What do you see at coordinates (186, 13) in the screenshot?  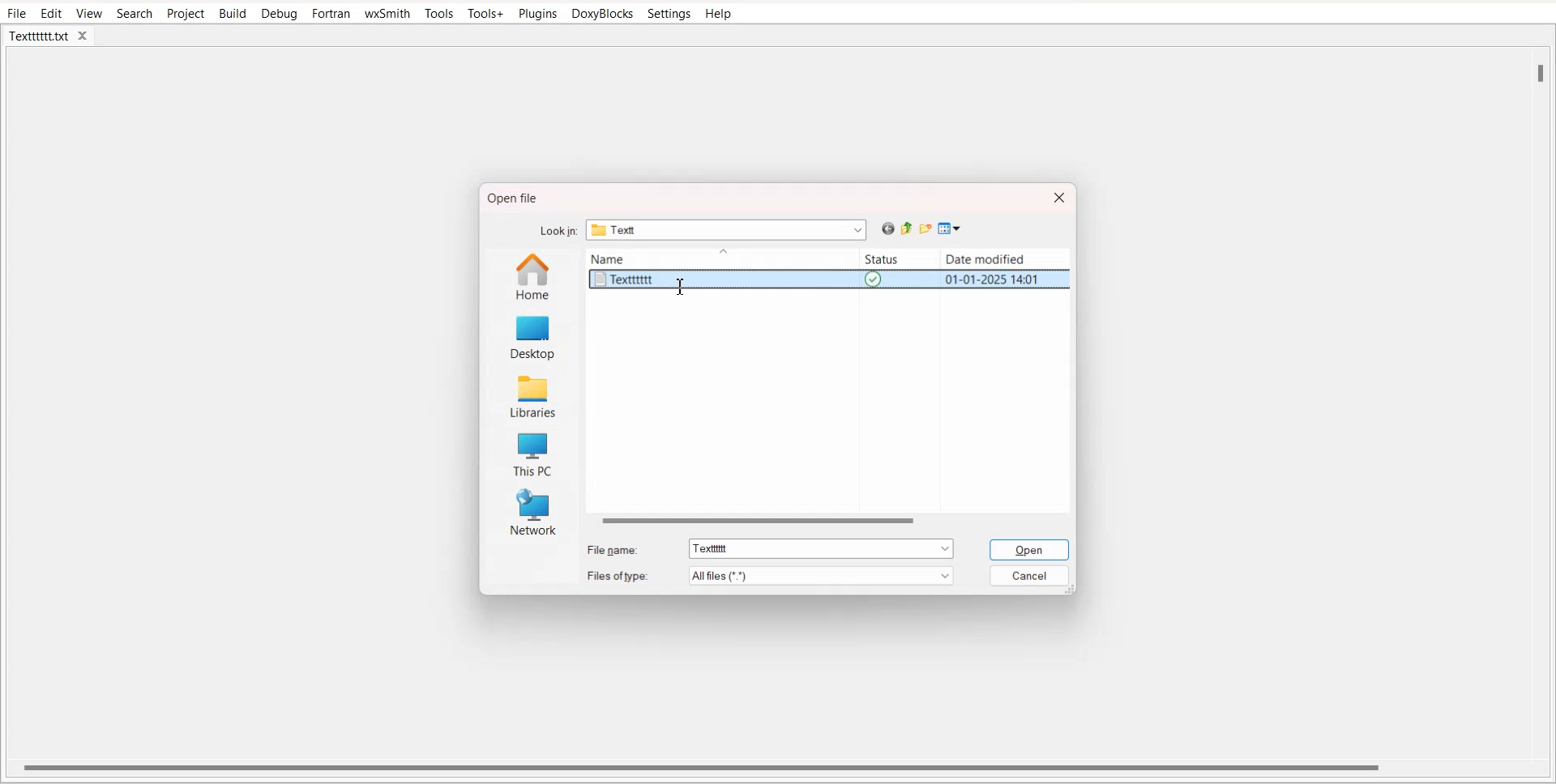 I see `Project` at bounding box center [186, 13].